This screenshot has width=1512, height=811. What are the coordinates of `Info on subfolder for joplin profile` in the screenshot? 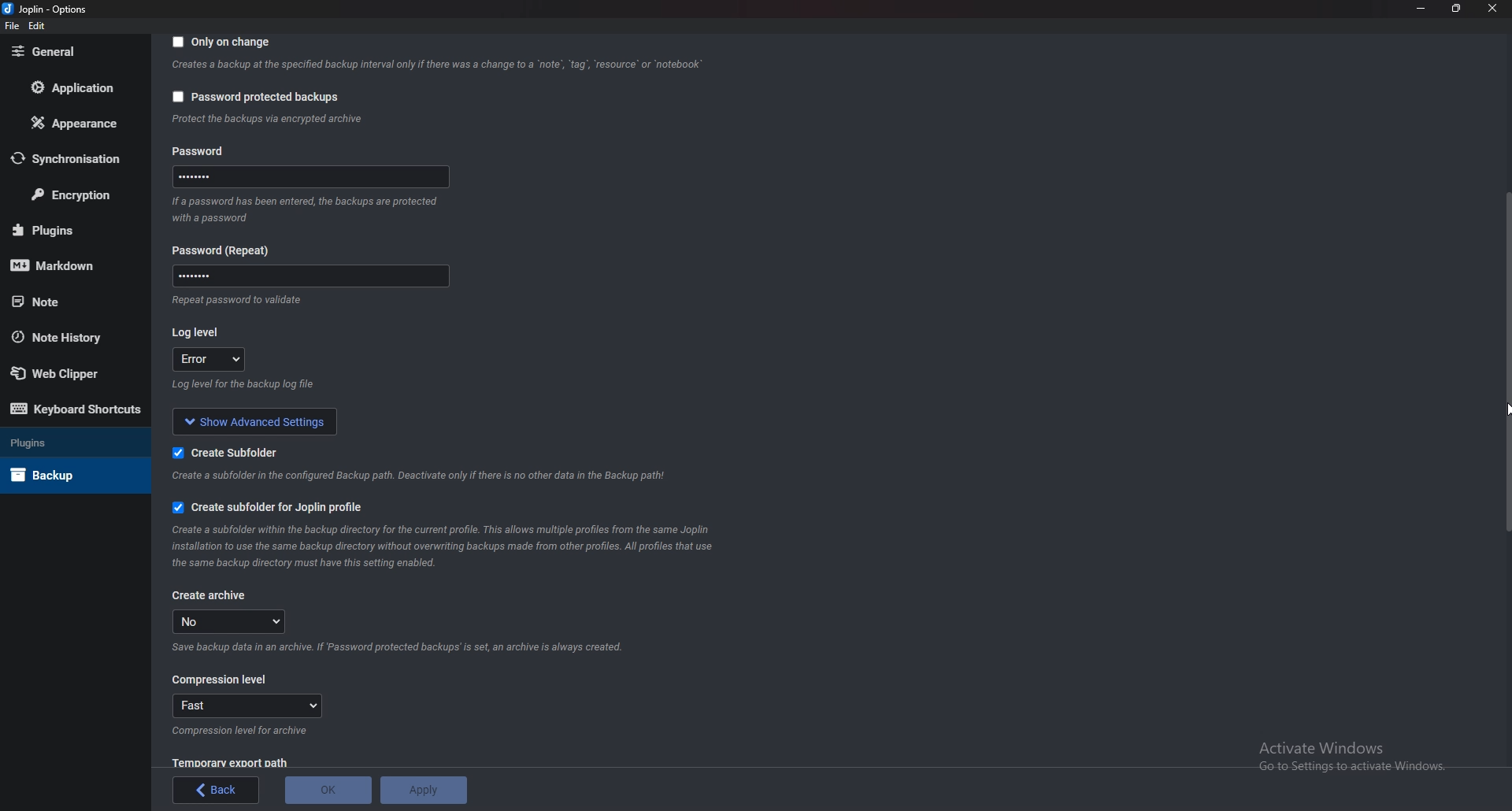 It's located at (457, 546).